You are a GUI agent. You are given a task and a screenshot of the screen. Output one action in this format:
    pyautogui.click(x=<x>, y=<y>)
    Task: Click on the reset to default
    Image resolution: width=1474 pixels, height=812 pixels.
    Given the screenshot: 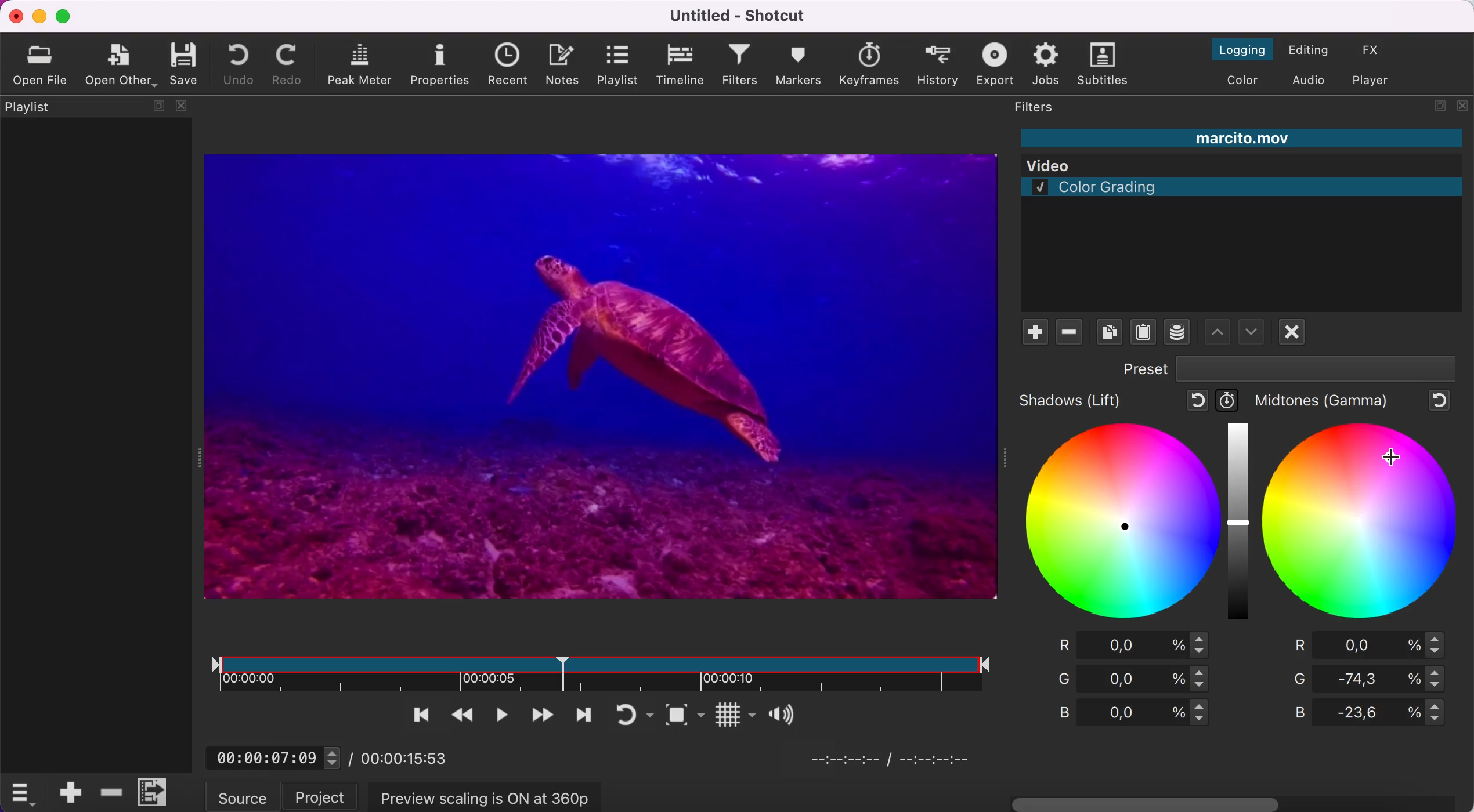 What is the action you would take?
    pyautogui.click(x=1444, y=401)
    